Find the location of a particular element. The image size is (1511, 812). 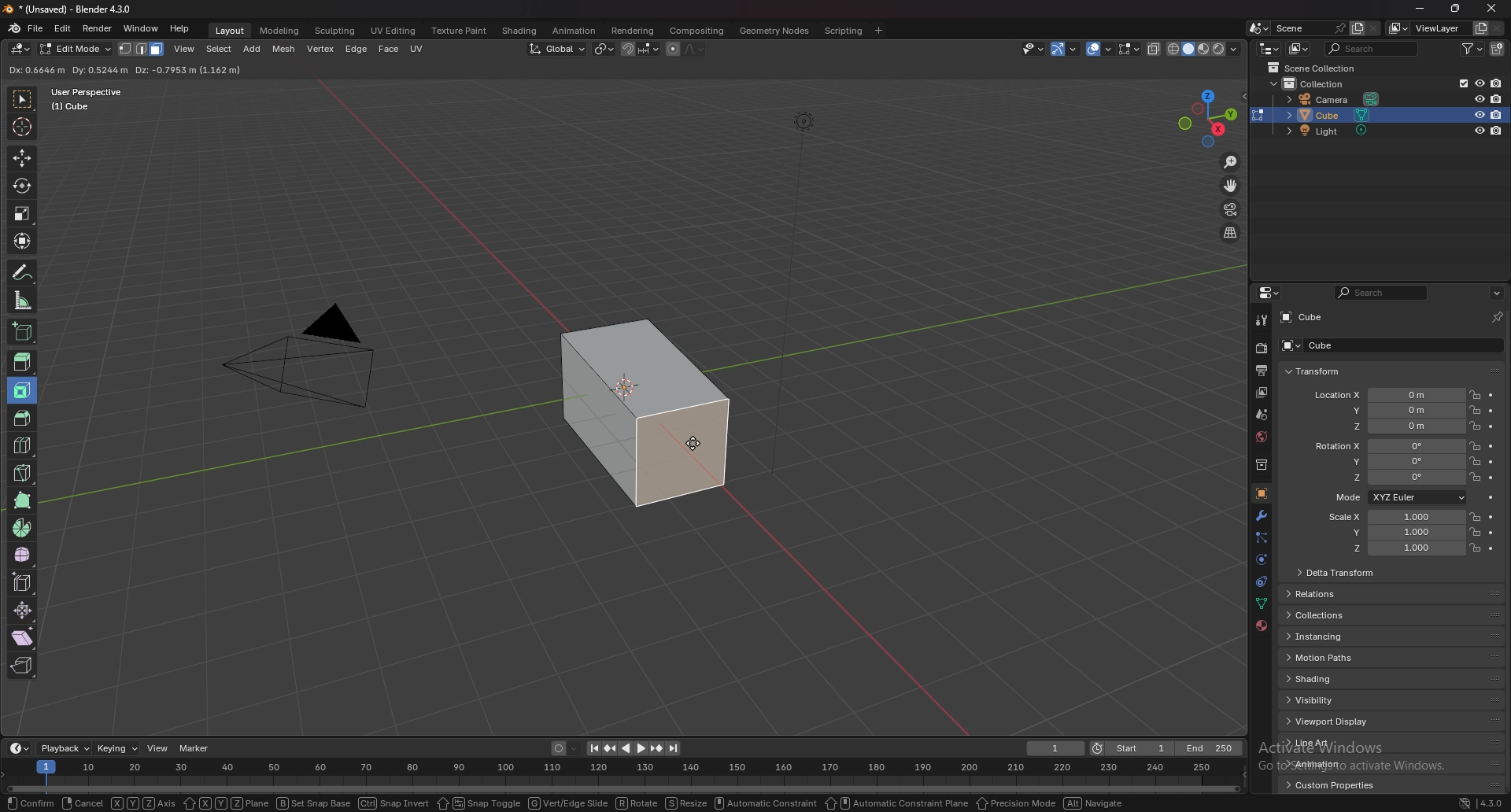

use a preset viewpoint is located at coordinates (1210, 116).